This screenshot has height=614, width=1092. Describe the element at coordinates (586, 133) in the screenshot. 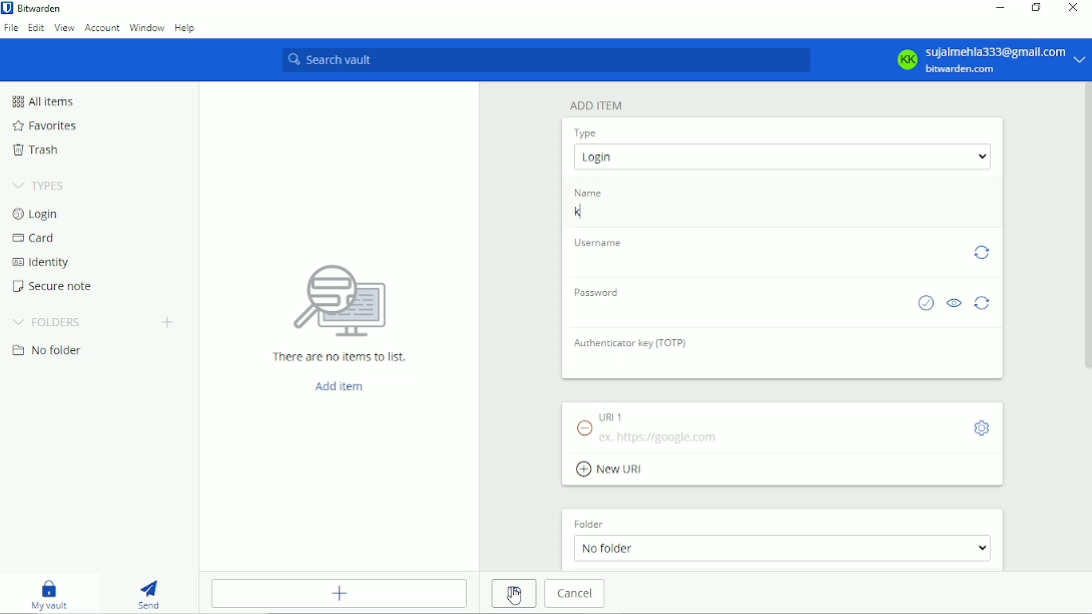

I see `Type` at that location.